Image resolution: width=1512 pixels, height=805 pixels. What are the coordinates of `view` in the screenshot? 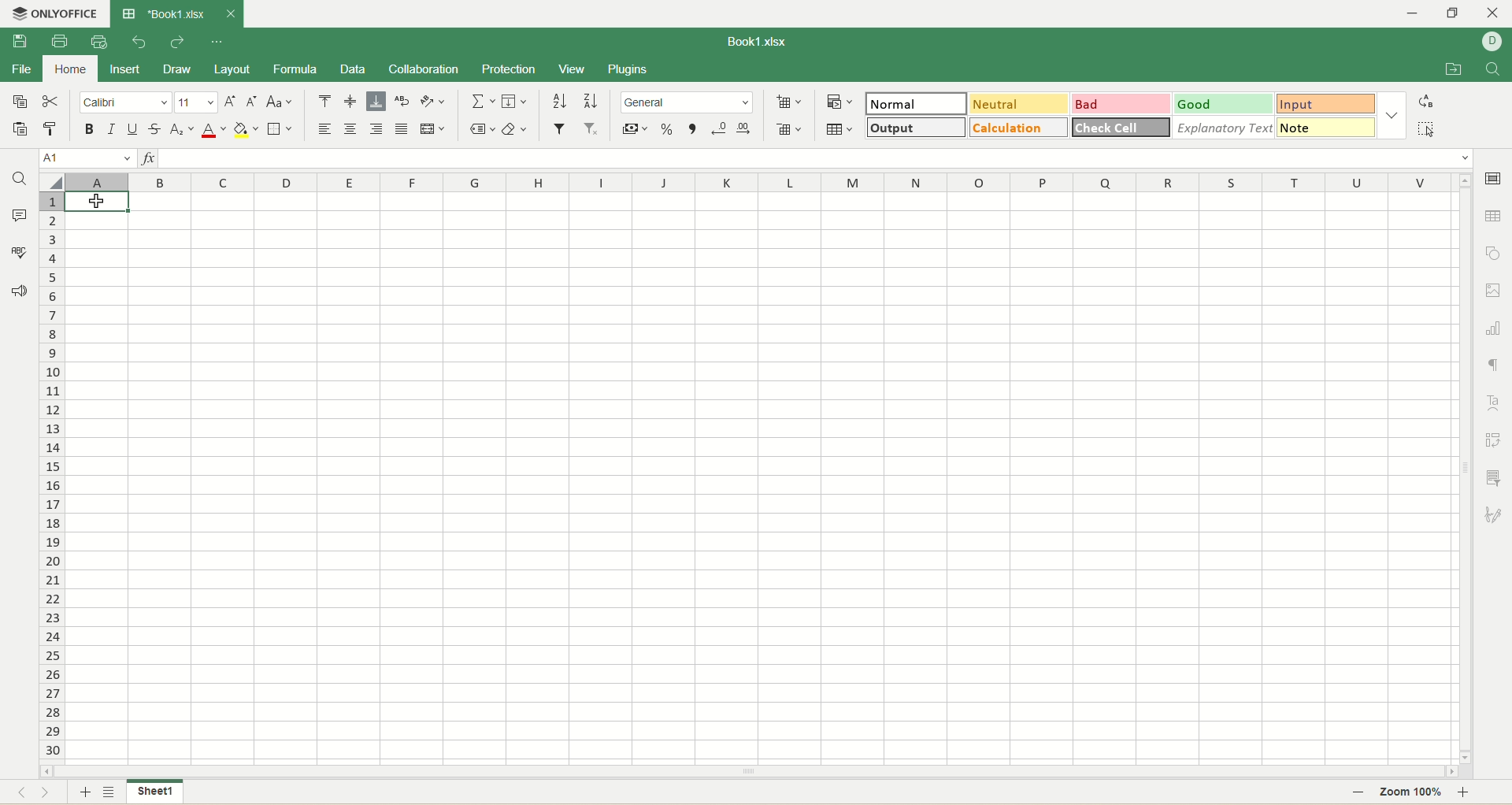 It's located at (573, 69).